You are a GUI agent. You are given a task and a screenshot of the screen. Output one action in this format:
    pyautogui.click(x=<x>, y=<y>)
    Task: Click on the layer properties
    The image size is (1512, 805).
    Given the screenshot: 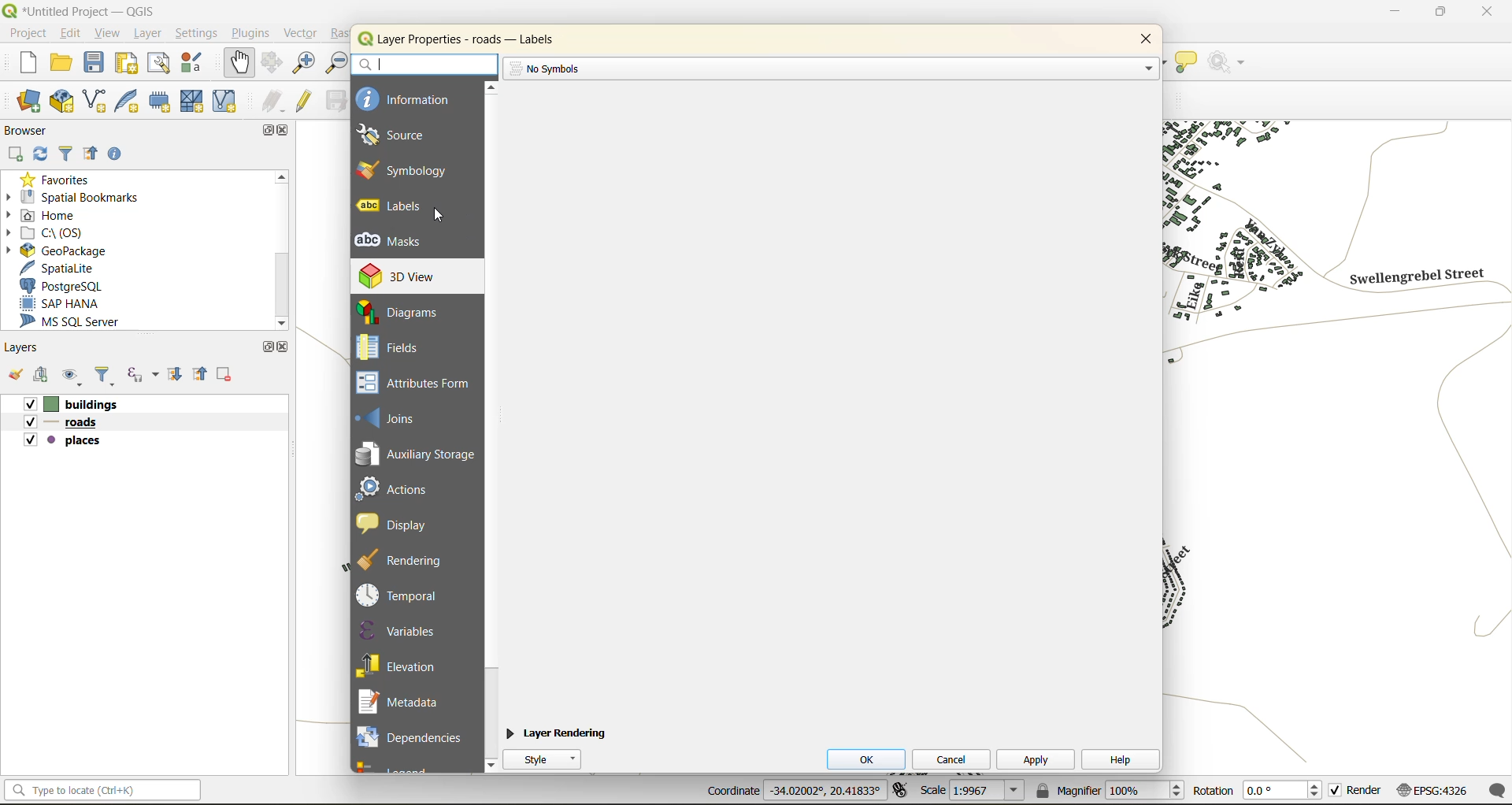 What is the action you would take?
    pyautogui.click(x=472, y=39)
    